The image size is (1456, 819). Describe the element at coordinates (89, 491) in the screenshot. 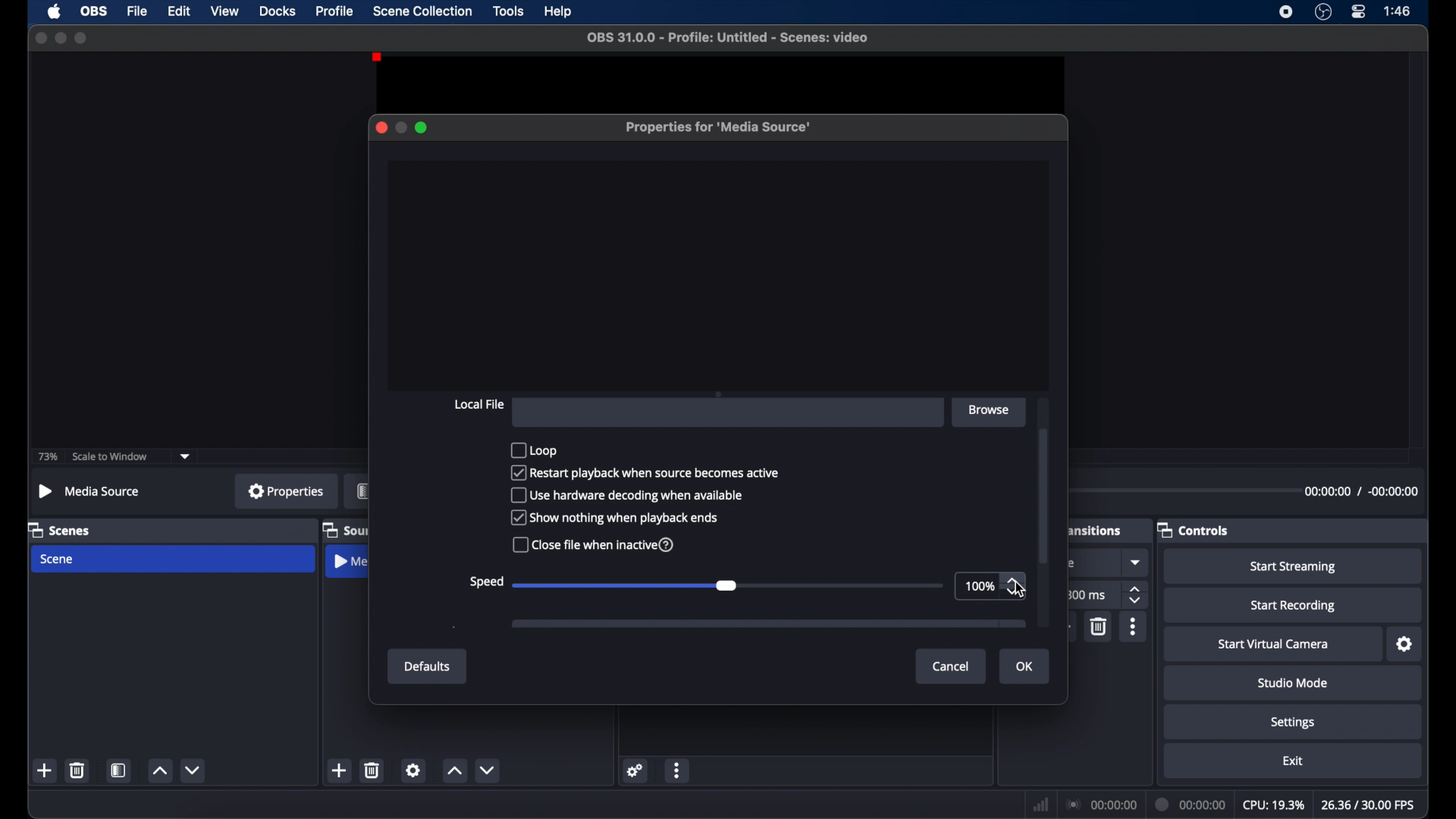

I see `no source selected` at that location.